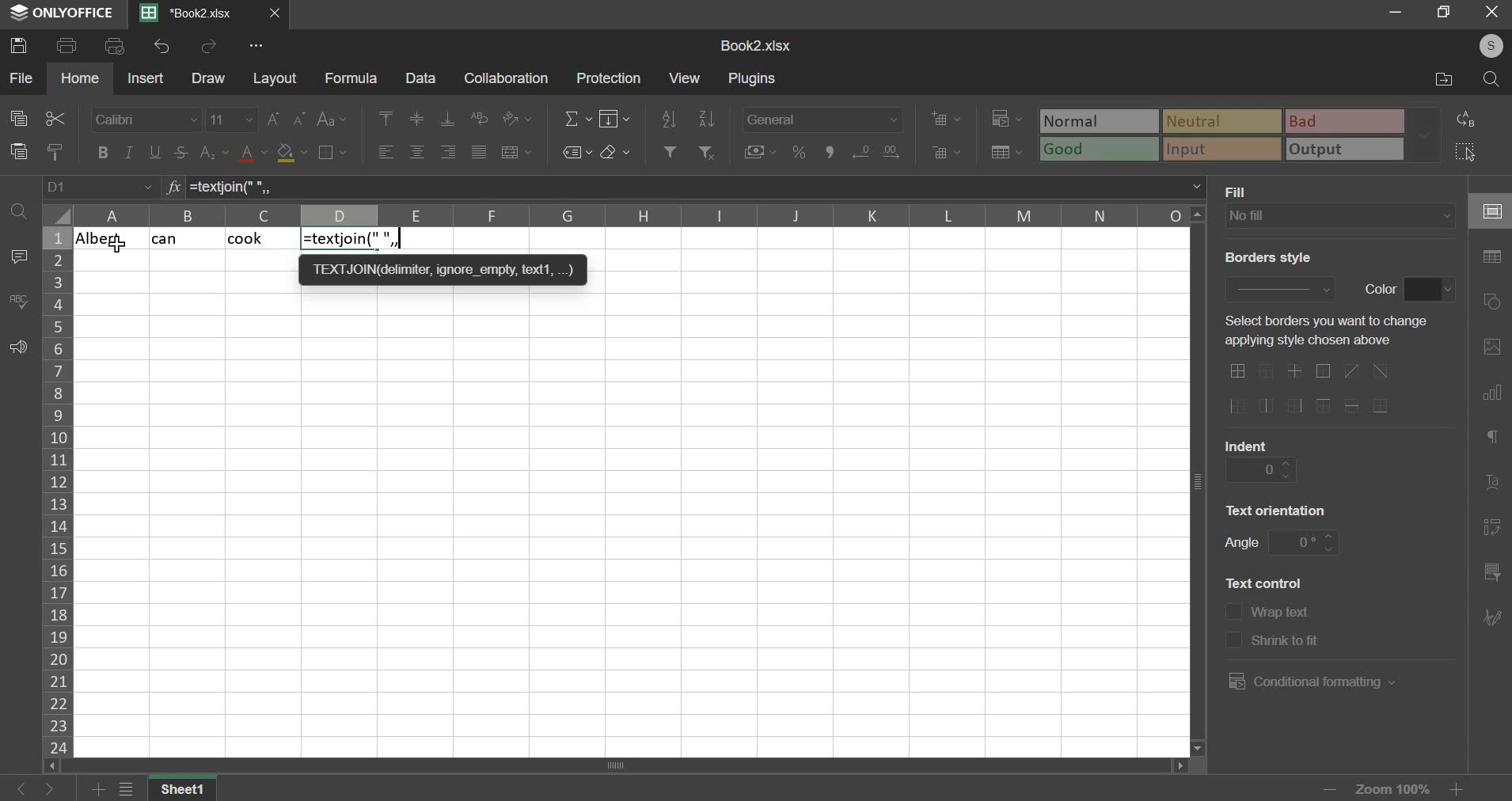 Image resolution: width=1512 pixels, height=801 pixels. What do you see at coordinates (448, 119) in the screenshot?
I see `align bottom` at bounding box center [448, 119].